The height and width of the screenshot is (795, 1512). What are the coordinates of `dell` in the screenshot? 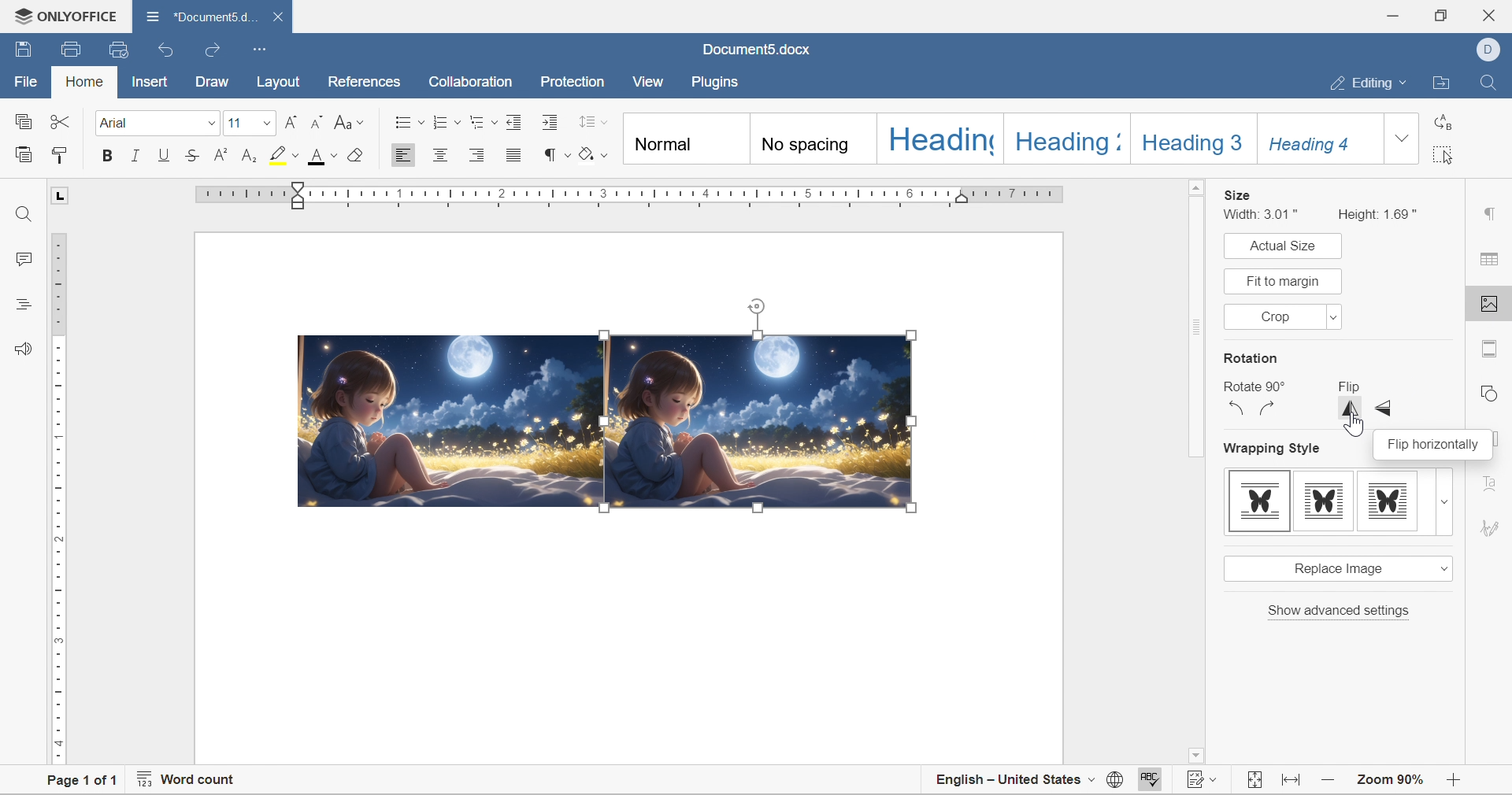 It's located at (1487, 48).